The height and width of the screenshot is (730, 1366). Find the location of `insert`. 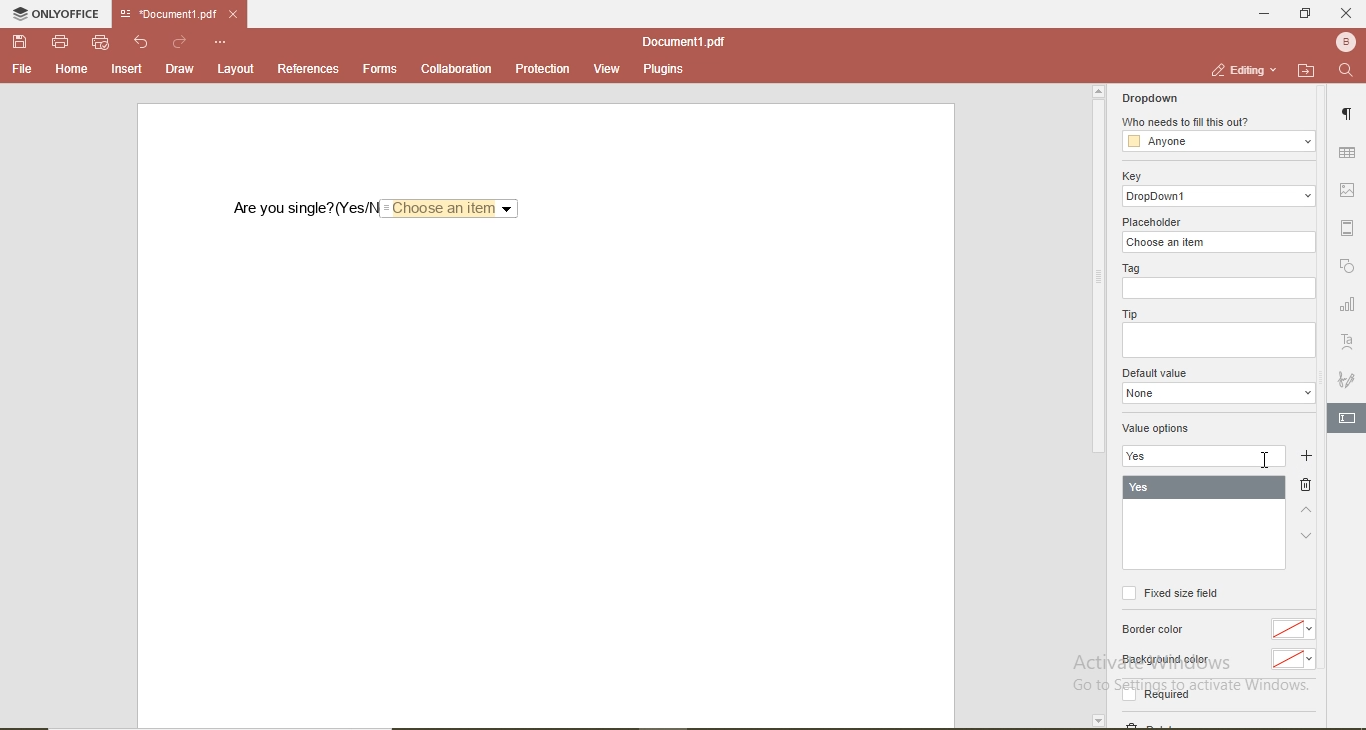

insert is located at coordinates (127, 71).